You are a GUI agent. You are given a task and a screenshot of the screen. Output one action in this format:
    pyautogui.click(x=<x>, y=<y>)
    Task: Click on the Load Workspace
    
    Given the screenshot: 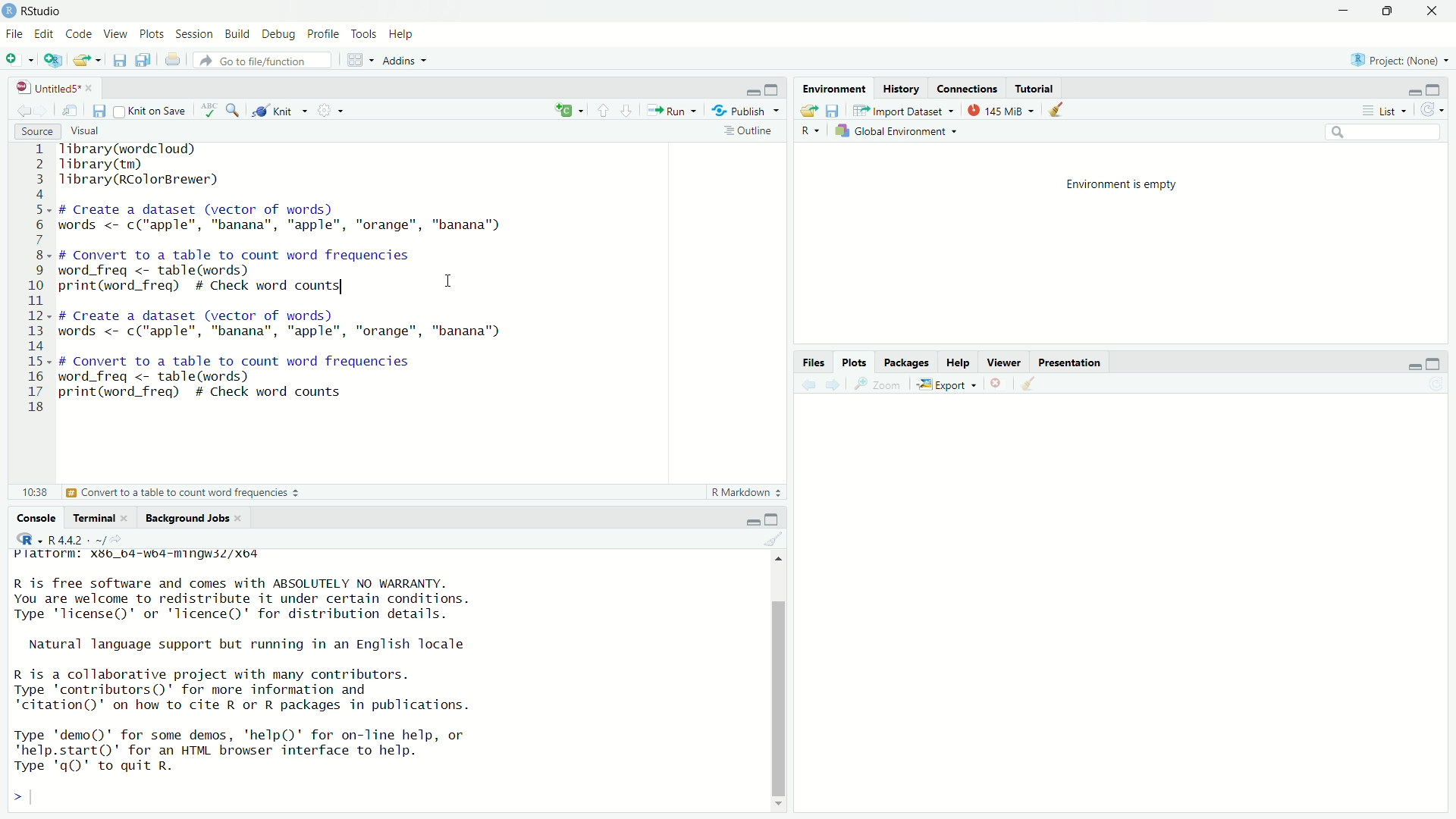 What is the action you would take?
    pyautogui.click(x=810, y=111)
    